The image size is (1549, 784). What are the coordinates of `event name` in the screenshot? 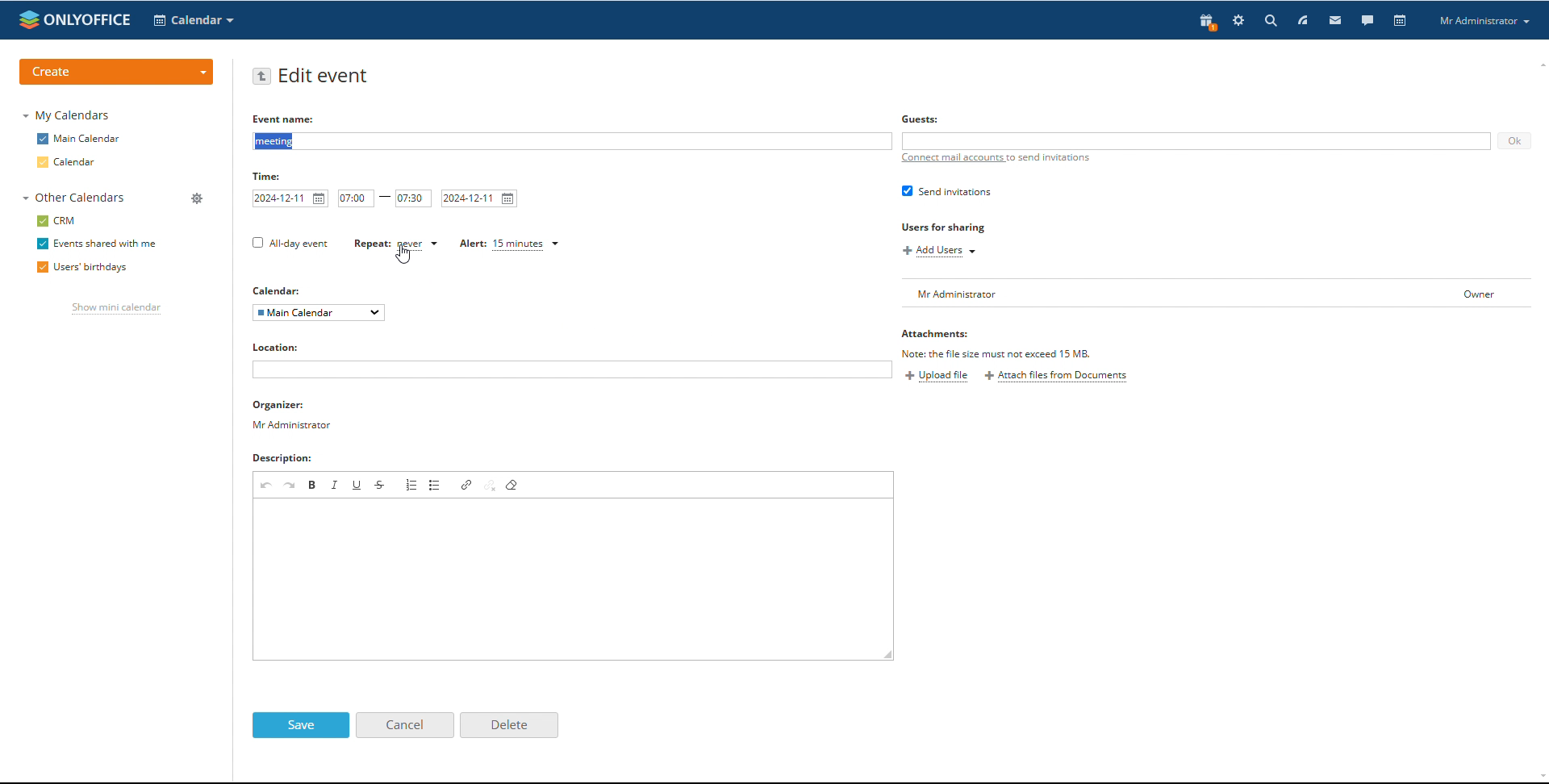 It's located at (286, 119).